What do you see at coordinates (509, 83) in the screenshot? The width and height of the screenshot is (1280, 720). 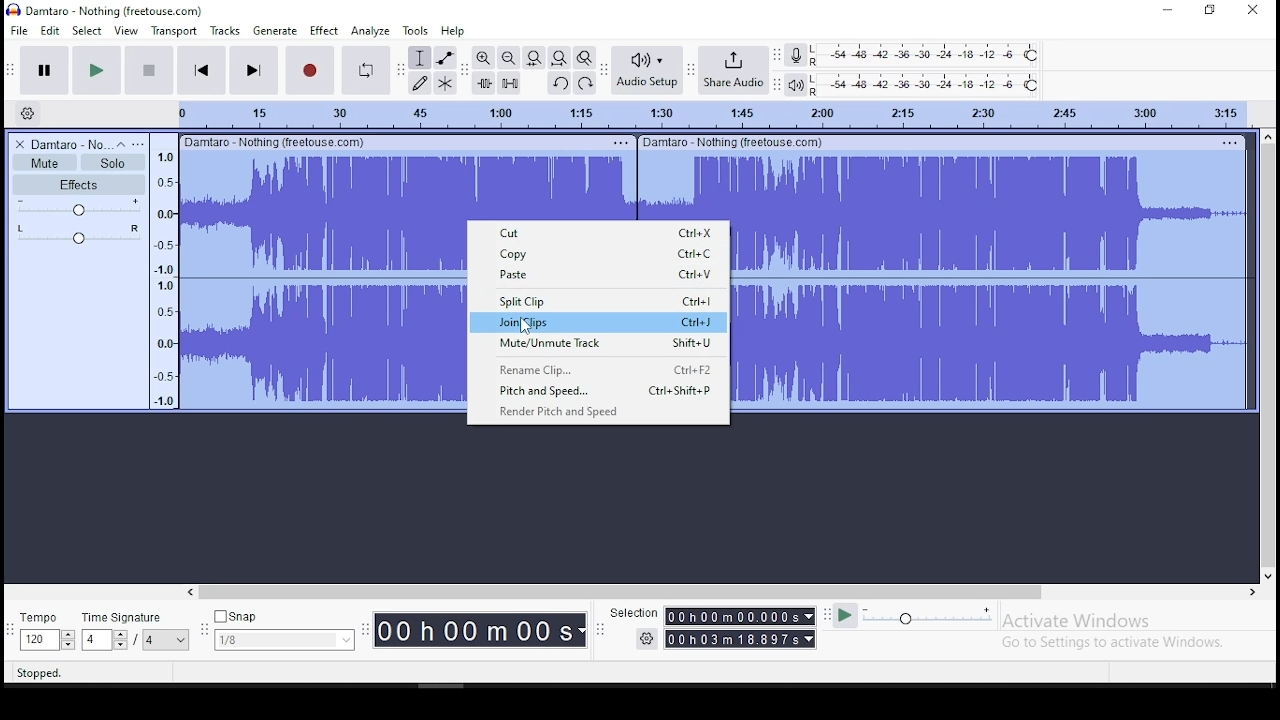 I see `silence audio selection` at bounding box center [509, 83].